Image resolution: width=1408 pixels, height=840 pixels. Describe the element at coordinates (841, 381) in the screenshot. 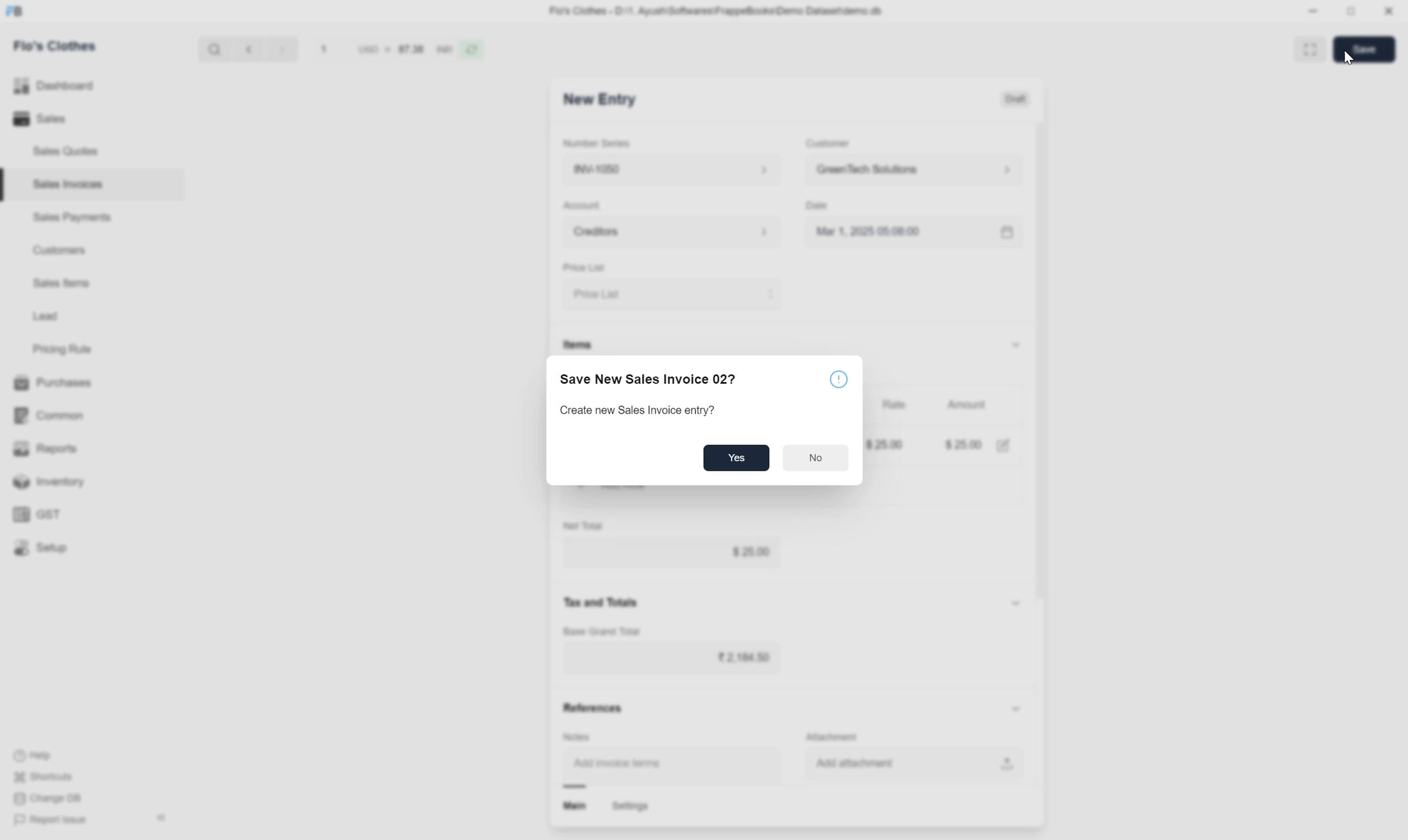

I see `confirmation icon` at that location.